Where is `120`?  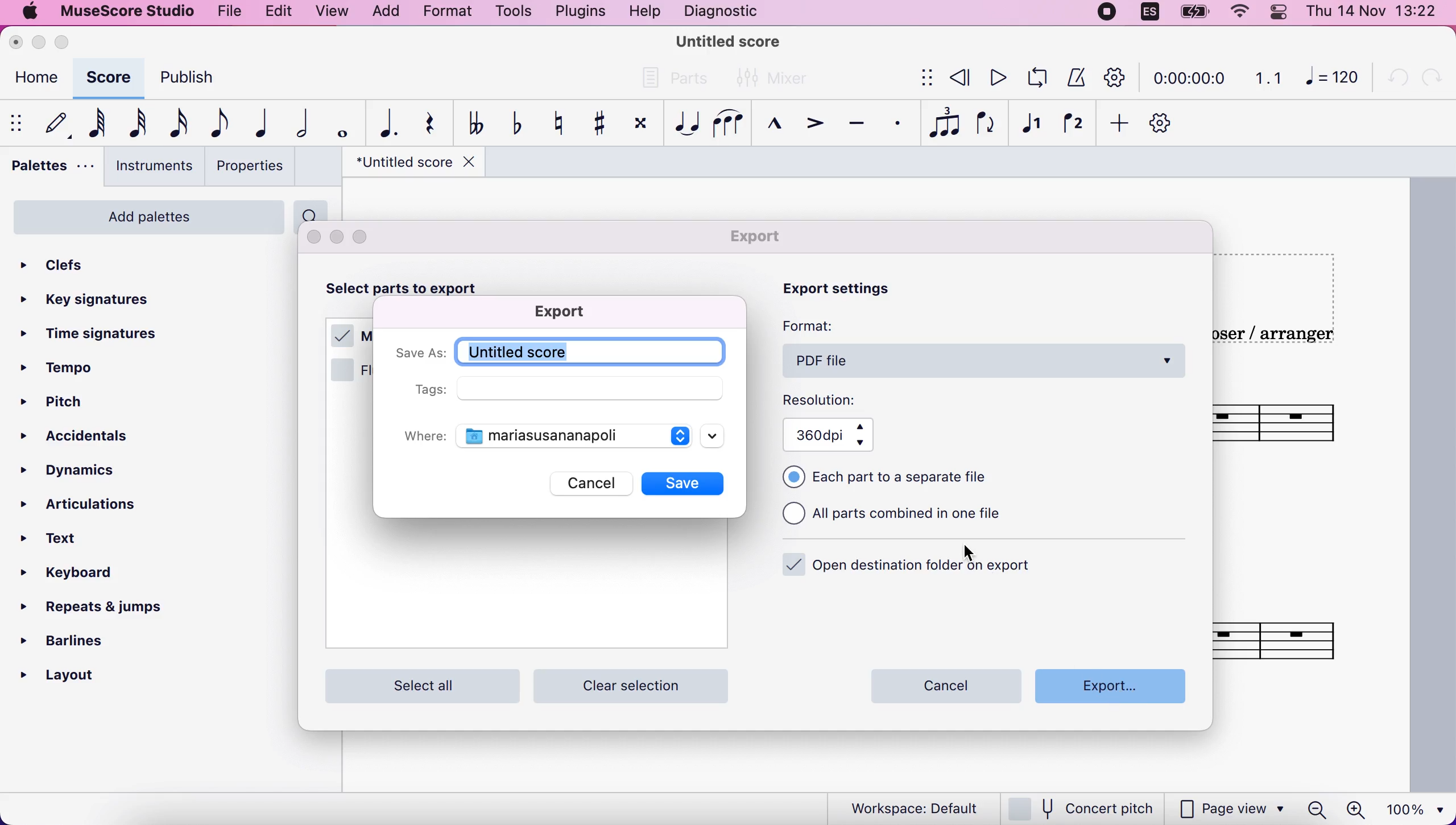 120 is located at coordinates (1334, 80).